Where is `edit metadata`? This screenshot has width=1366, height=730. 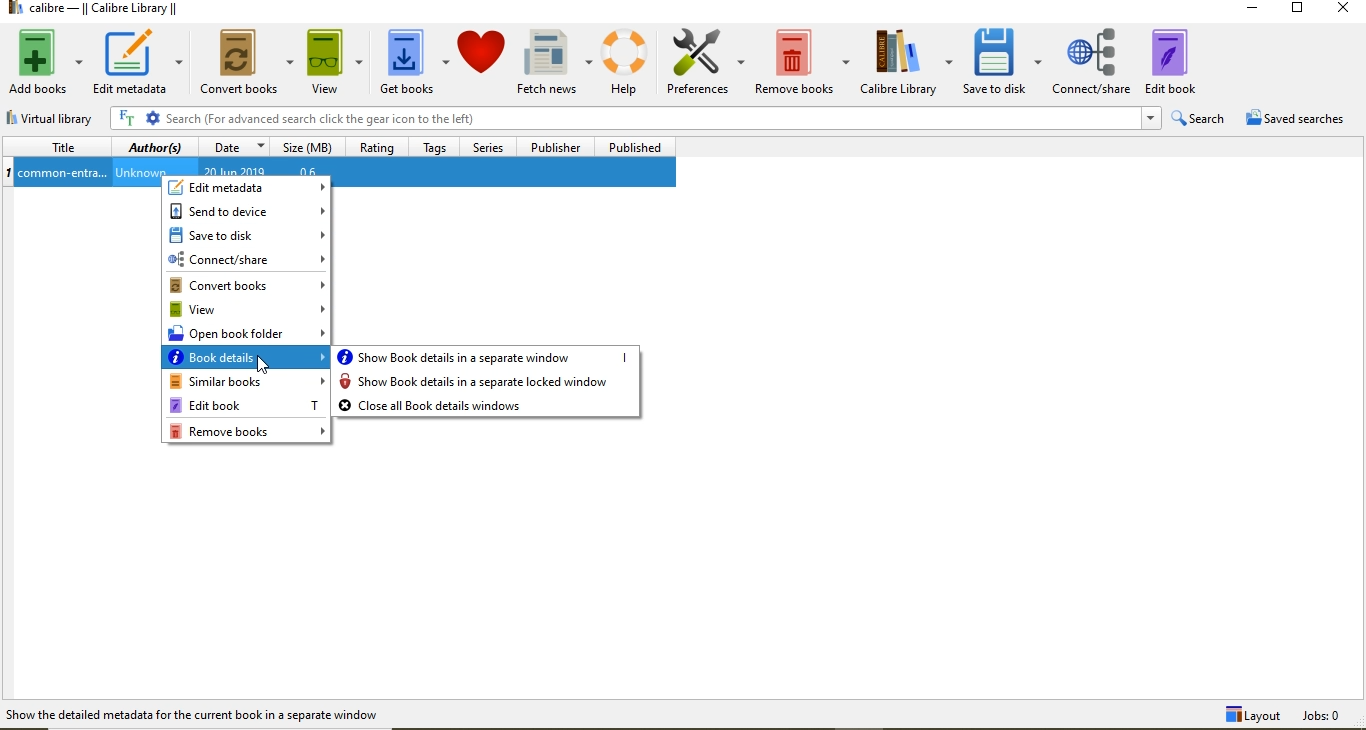
edit metadata is located at coordinates (249, 188).